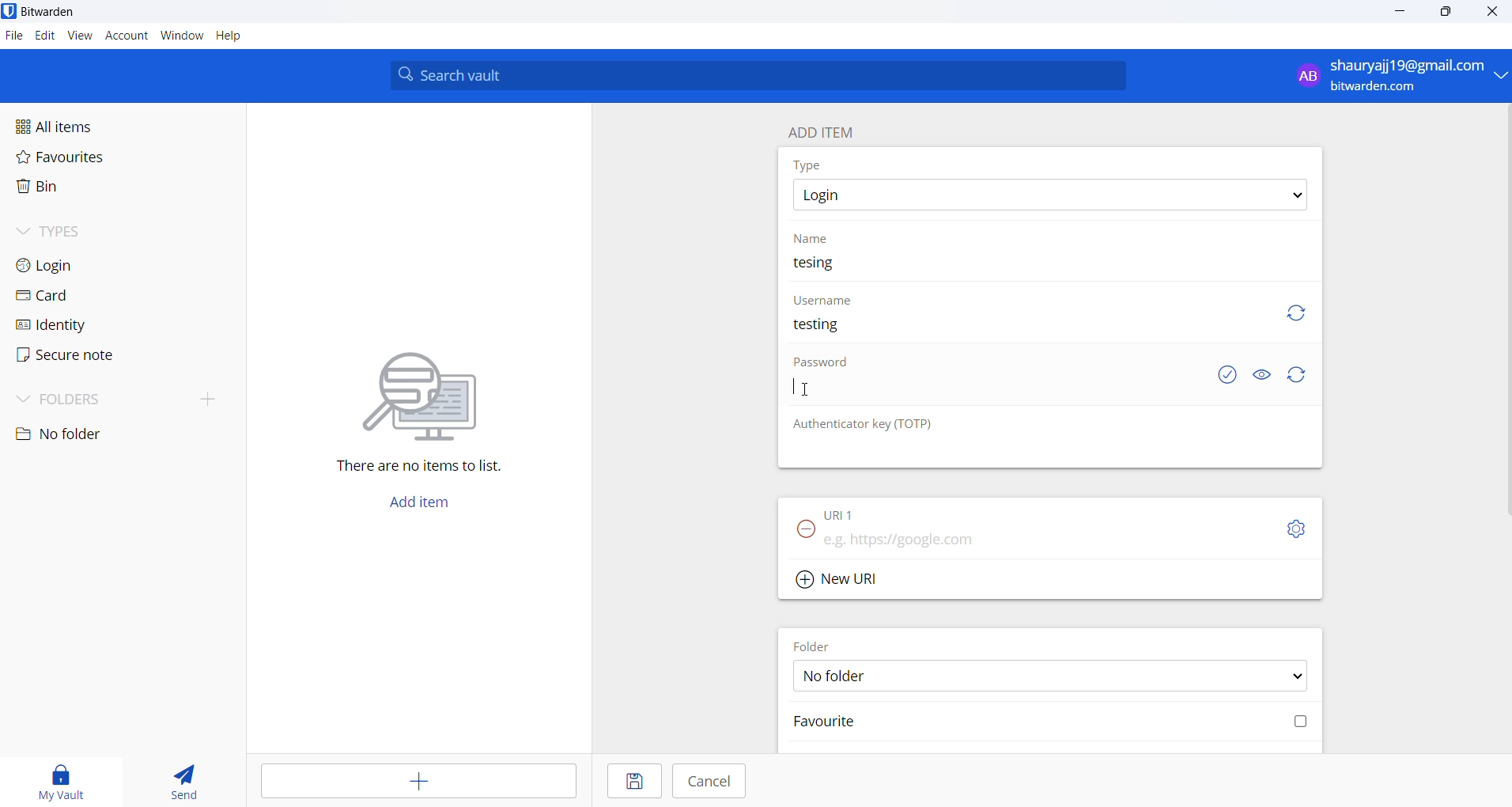 Image resolution: width=1512 pixels, height=807 pixels. I want to click on secure note, so click(63, 355).